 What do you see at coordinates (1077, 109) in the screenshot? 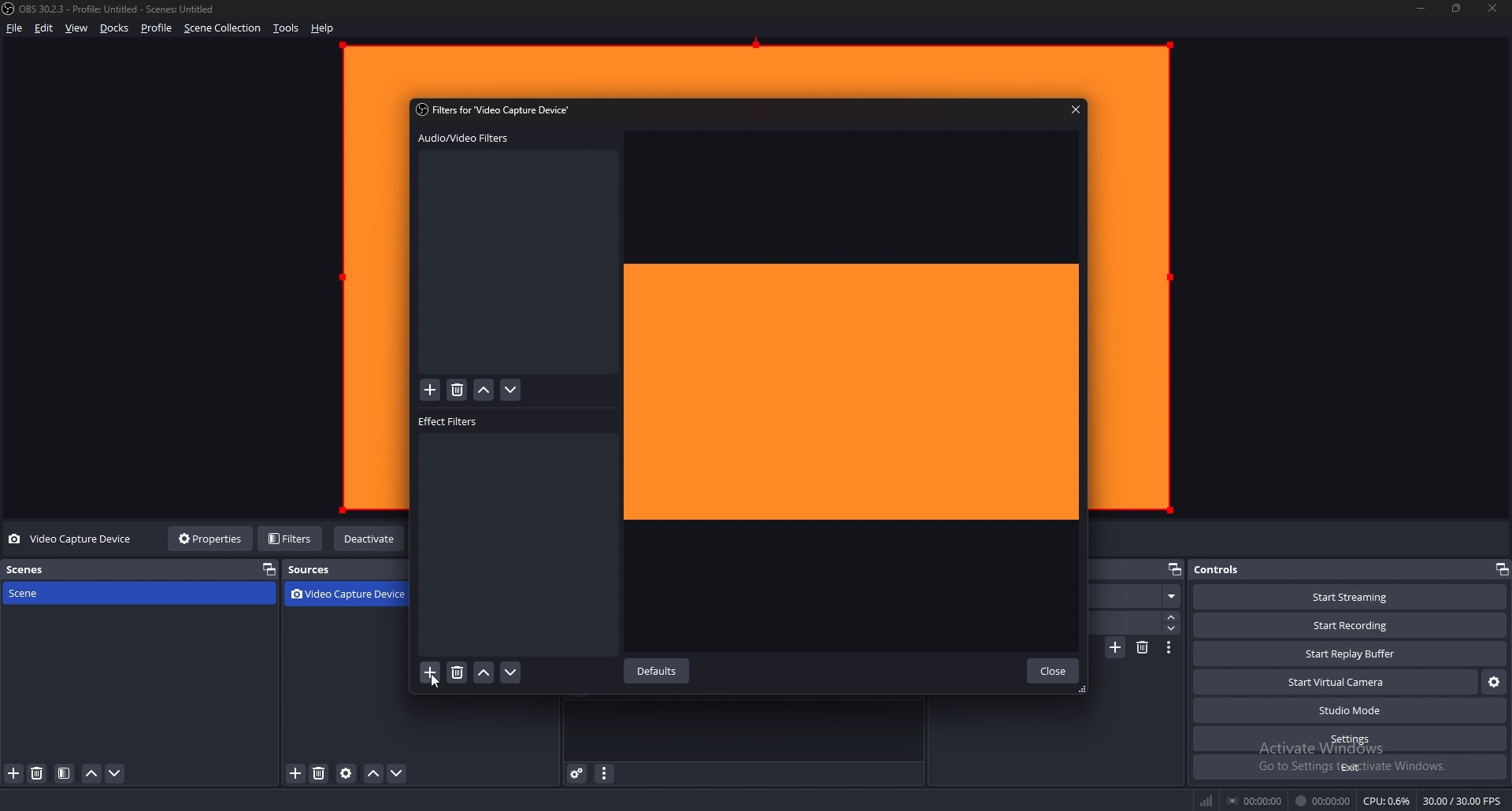
I see `close` at bounding box center [1077, 109].